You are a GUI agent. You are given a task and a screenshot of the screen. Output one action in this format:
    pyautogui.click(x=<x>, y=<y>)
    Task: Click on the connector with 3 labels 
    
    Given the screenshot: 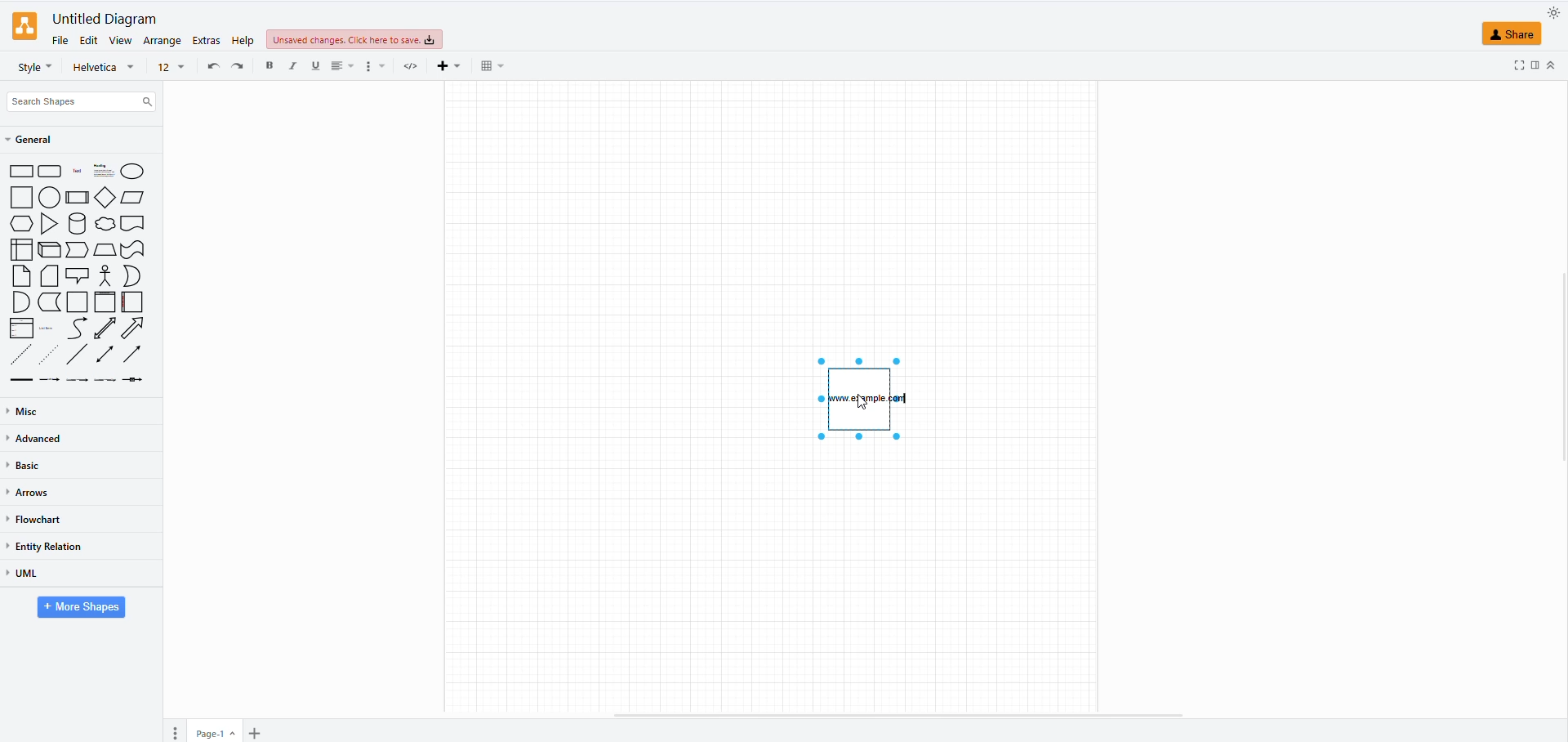 What is the action you would take?
    pyautogui.click(x=105, y=380)
    